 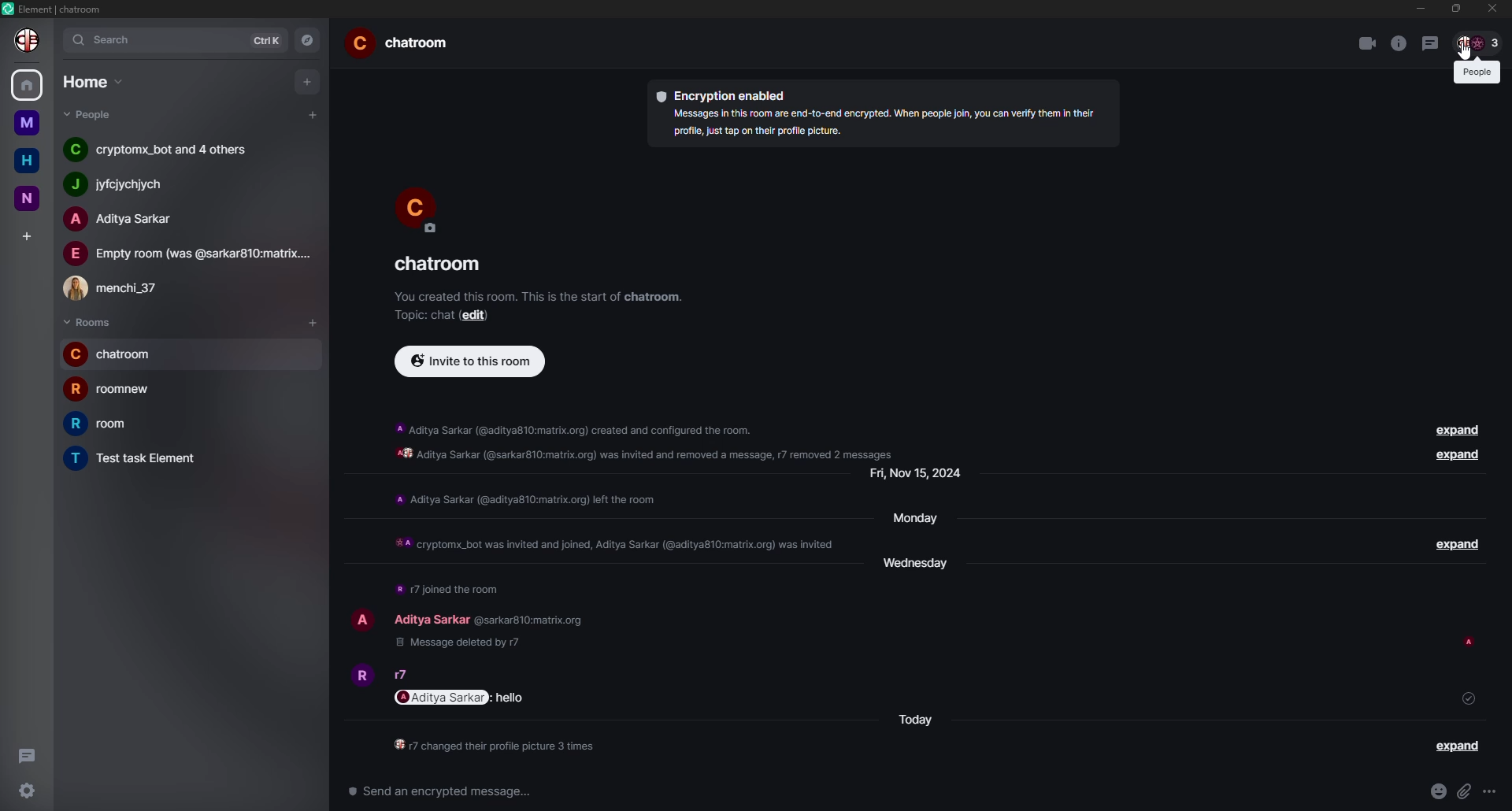 What do you see at coordinates (1470, 644) in the screenshot?
I see `seen` at bounding box center [1470, 644].